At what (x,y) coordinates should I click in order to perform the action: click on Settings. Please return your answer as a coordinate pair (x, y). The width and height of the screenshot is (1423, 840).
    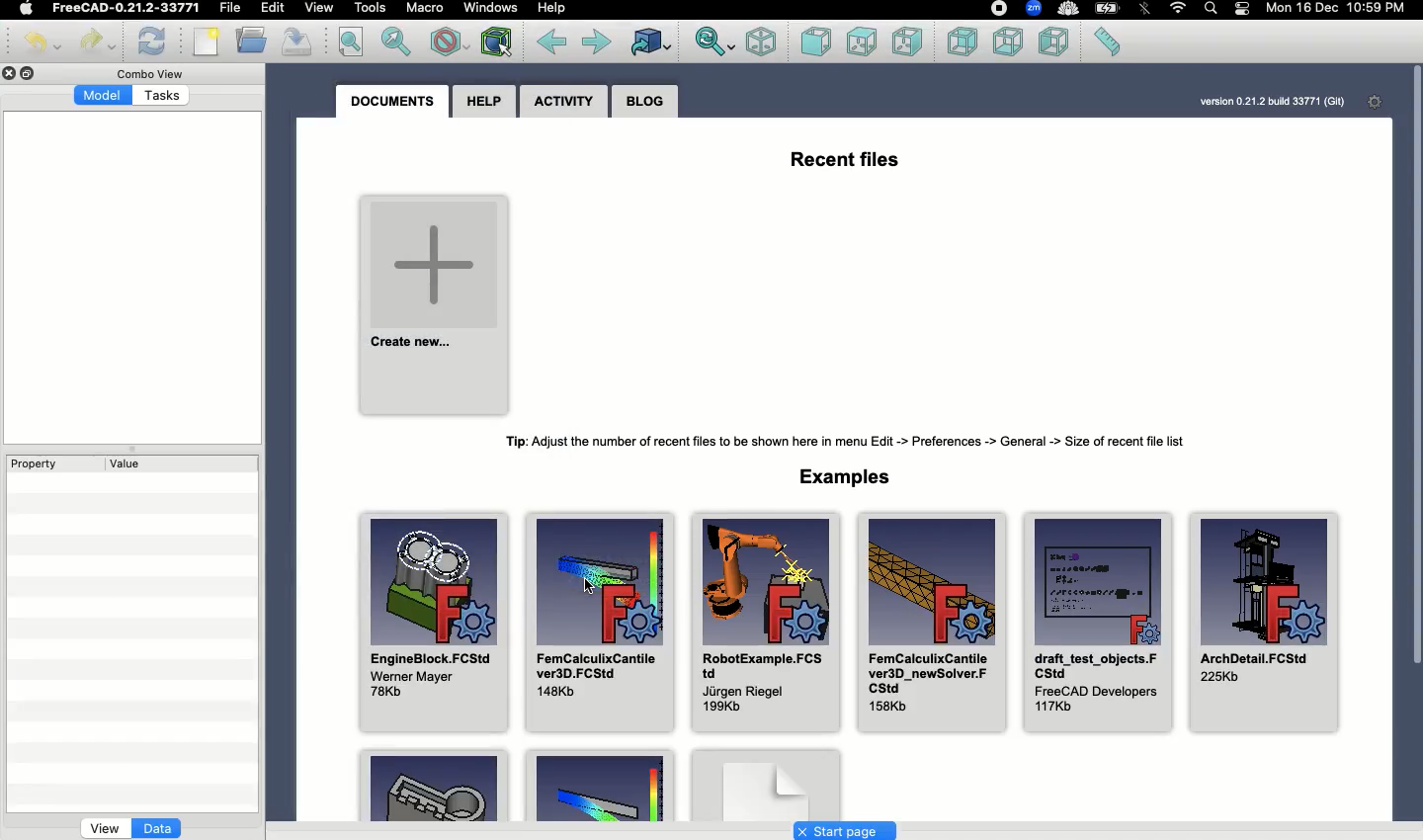
    Looking at the image, I should click on (1380, 102).